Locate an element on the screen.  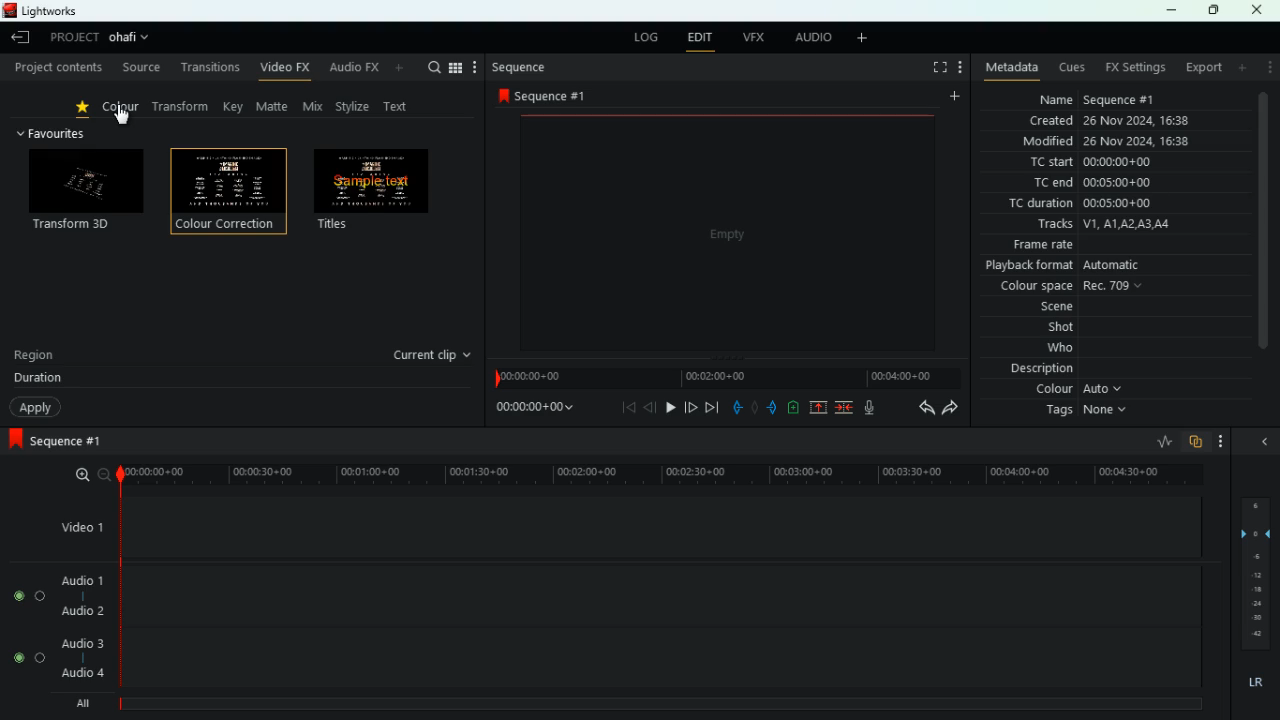
sequence is located at coordinates (75, 441).